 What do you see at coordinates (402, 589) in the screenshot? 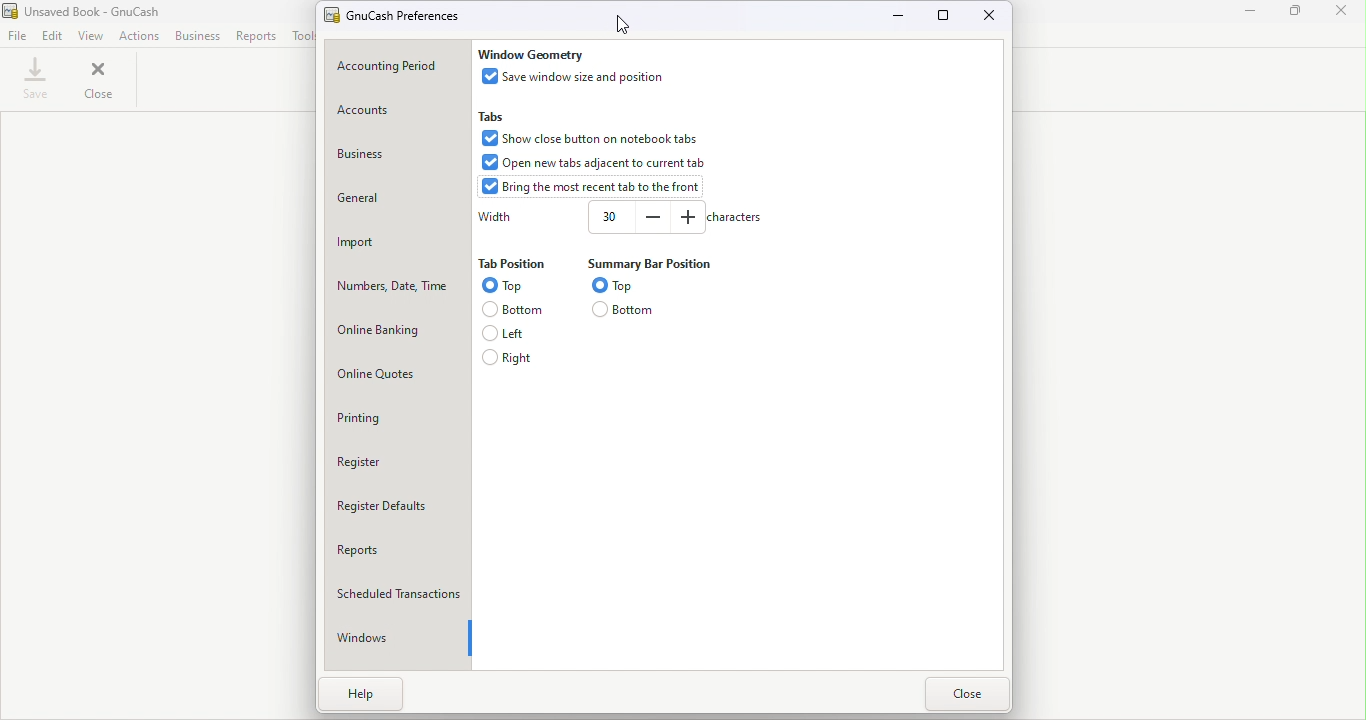
I see `Scheduled transcations` at bounding box center [402, 589].